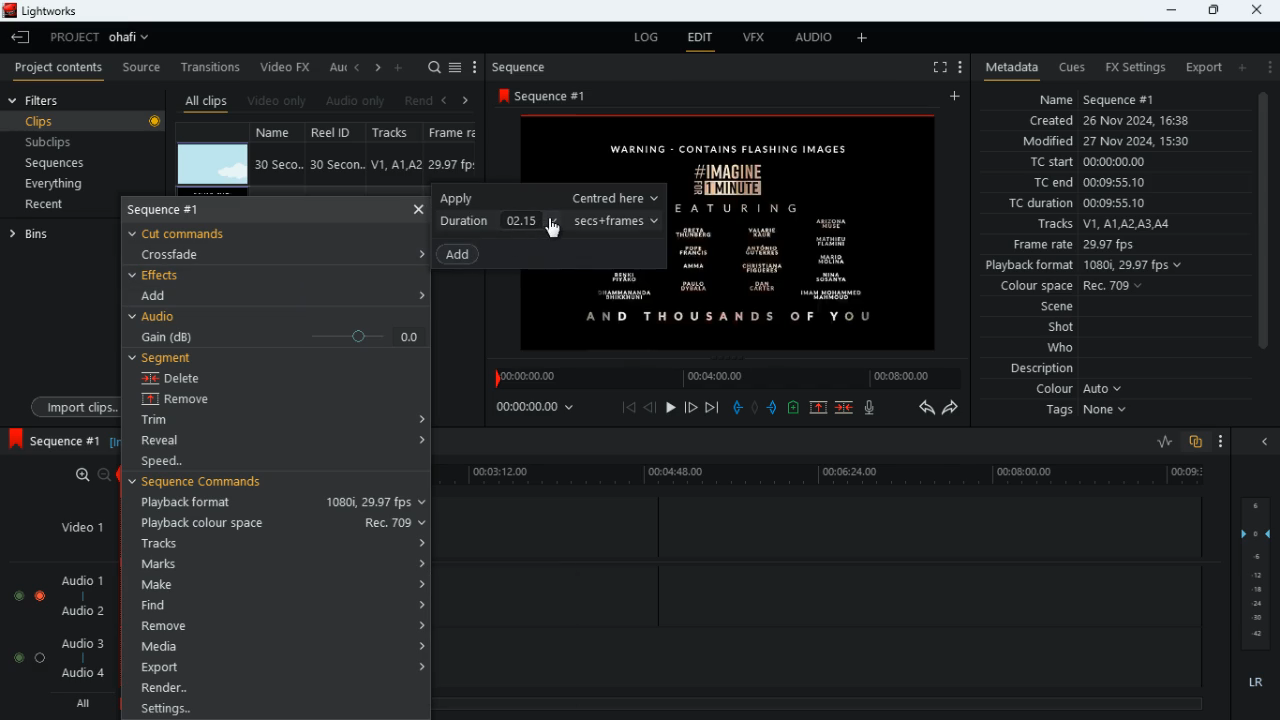 The height and width of the screenshot is (720, 1280). Describe the element at coordinates (1102, 225) in the screenshot. I see `tracks` at that location.